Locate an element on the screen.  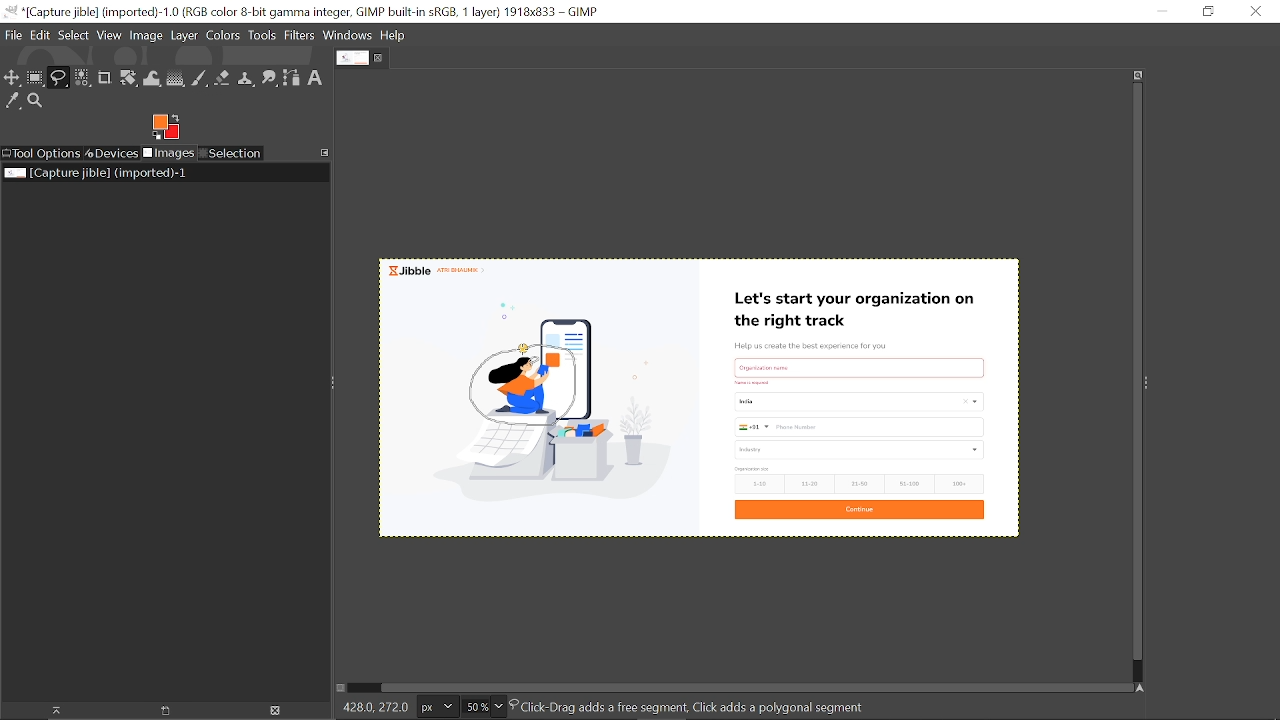
Close is located at coordinates (1256, 11).